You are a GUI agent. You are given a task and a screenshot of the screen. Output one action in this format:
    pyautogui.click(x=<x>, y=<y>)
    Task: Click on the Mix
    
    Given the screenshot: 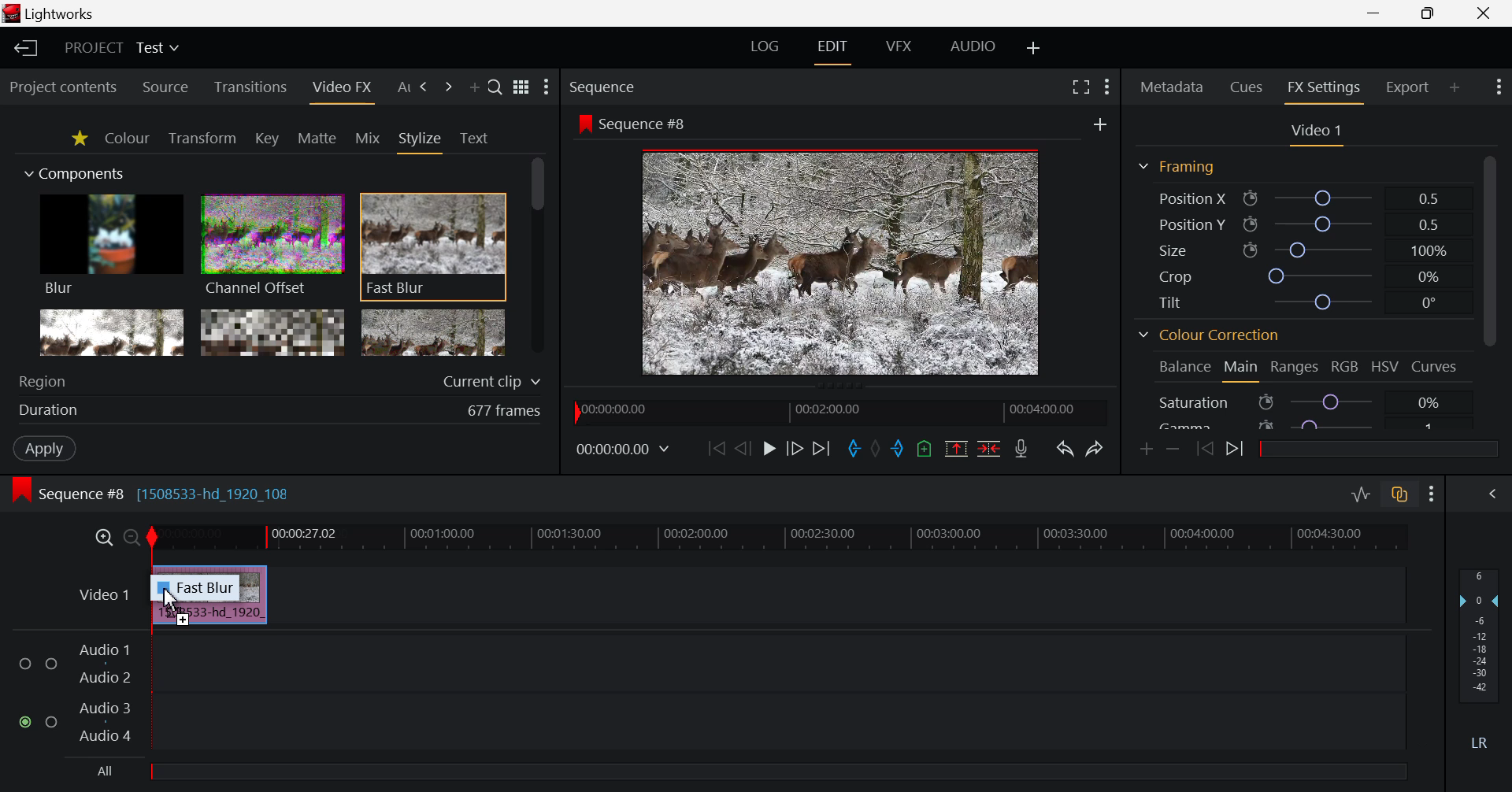 What is the action you would take?
    pyautogui.click(x=367, y=138)
    